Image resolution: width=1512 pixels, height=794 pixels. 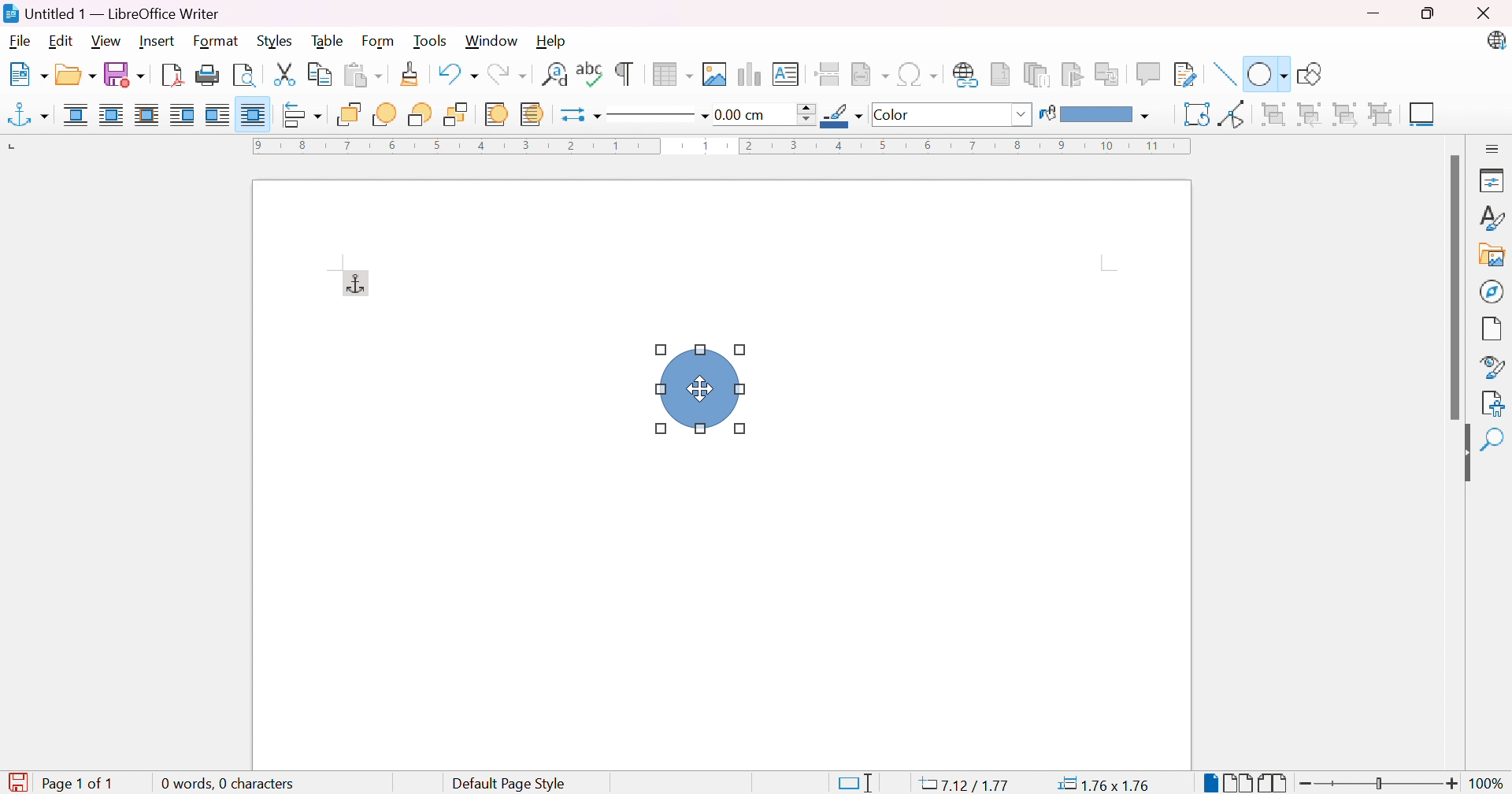 What do you see at coordinates (1039, 75) in the screenshot?
I see `Insert endnote ` at bounding box center [1039, 75].